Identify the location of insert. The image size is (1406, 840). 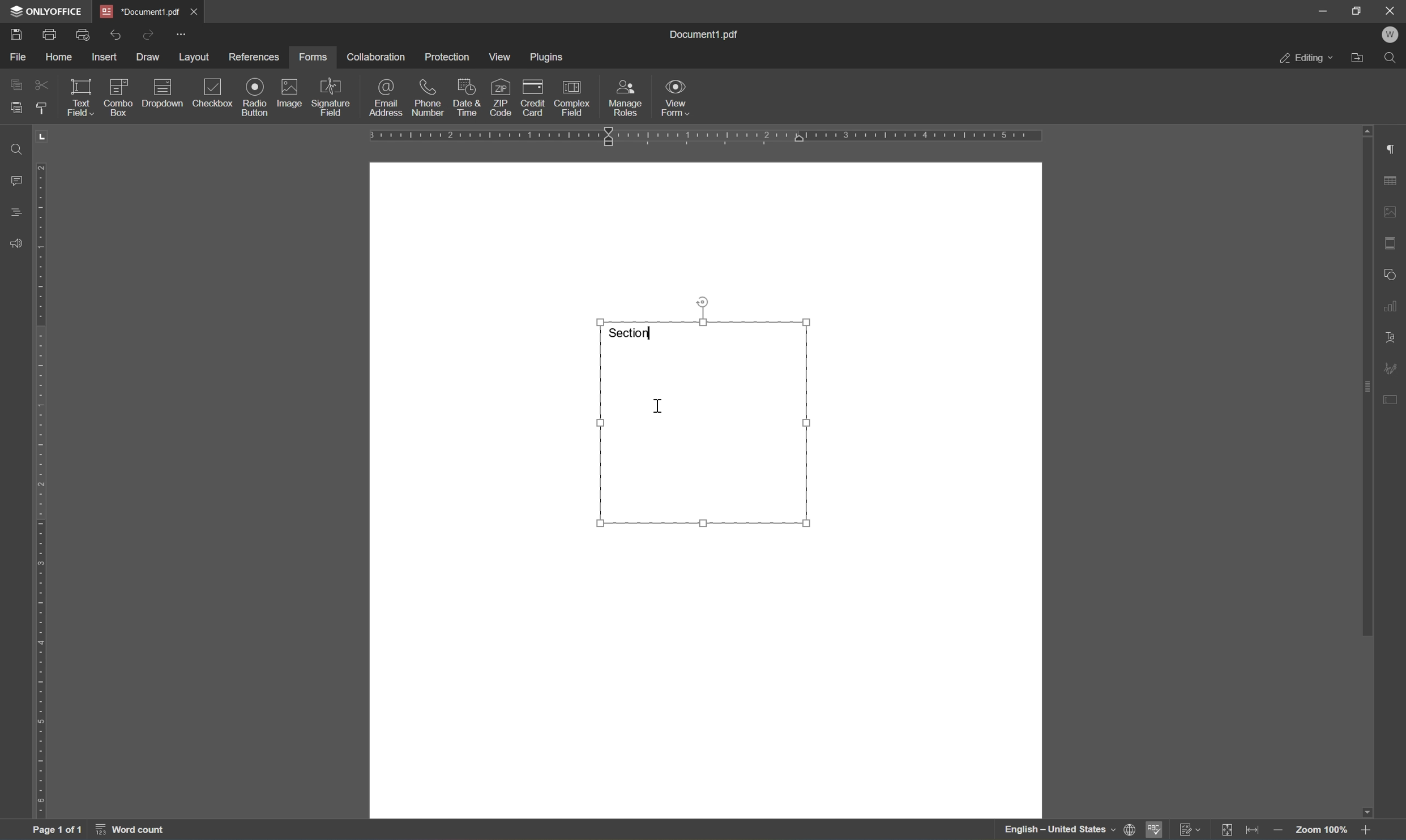
(105, 57).